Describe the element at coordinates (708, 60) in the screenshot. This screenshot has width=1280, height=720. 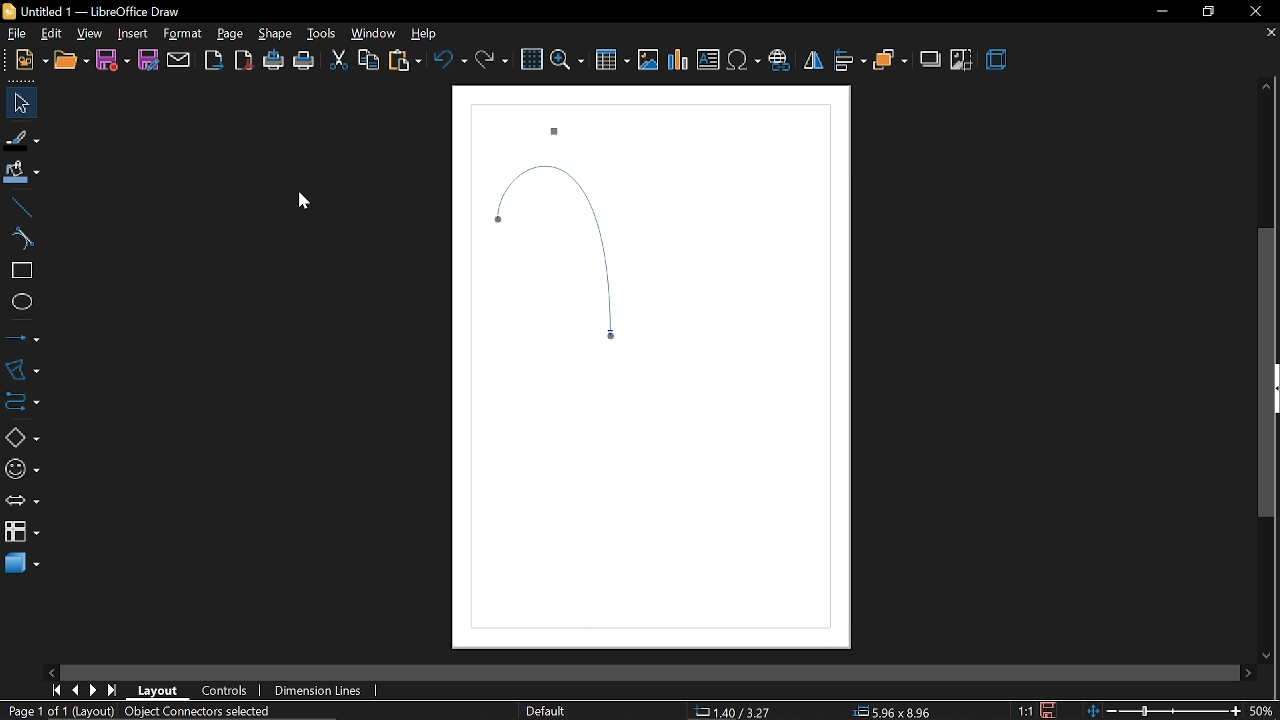
I see `Insert text` at that location.